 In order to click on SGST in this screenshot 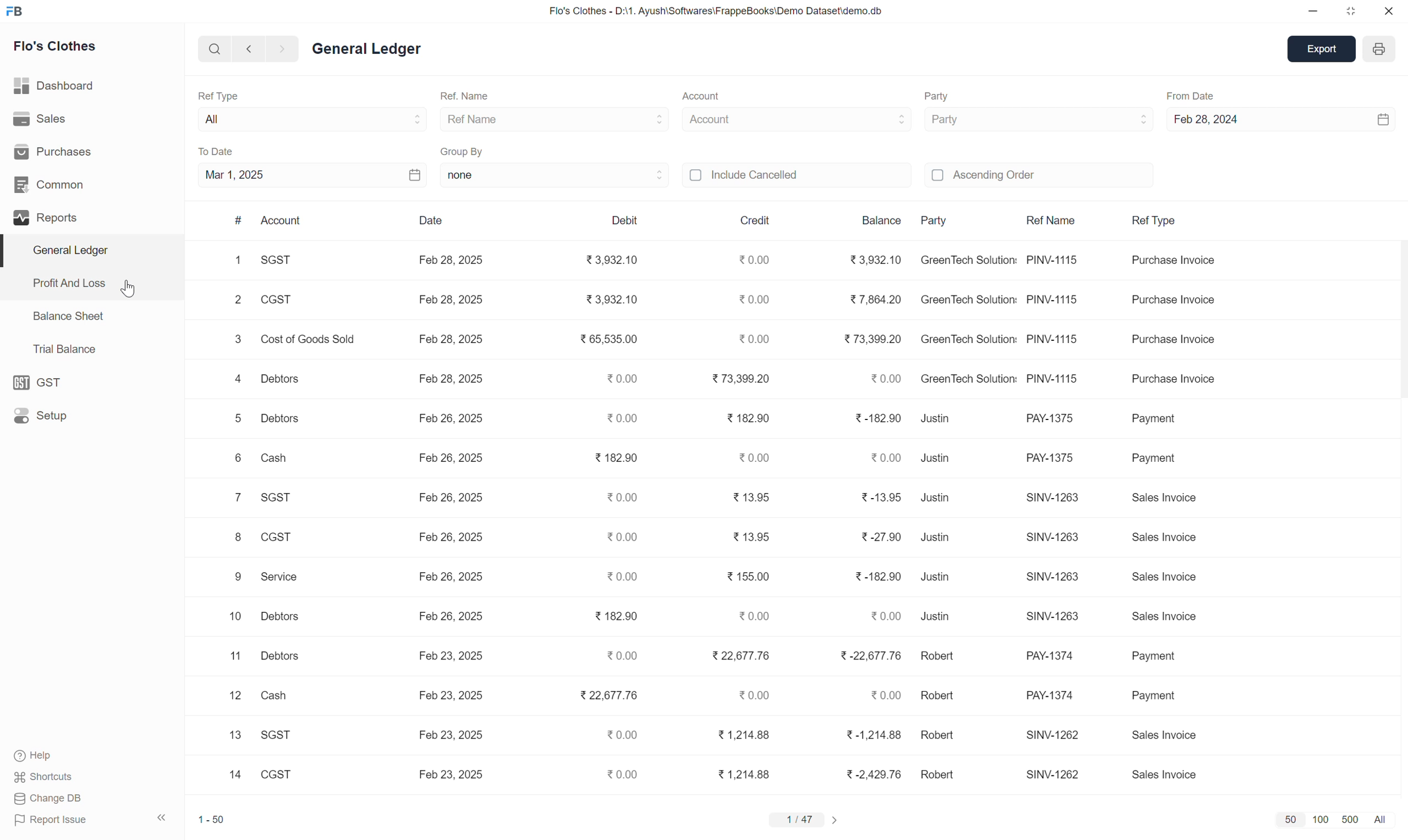, I will do `click(278, 500)`.